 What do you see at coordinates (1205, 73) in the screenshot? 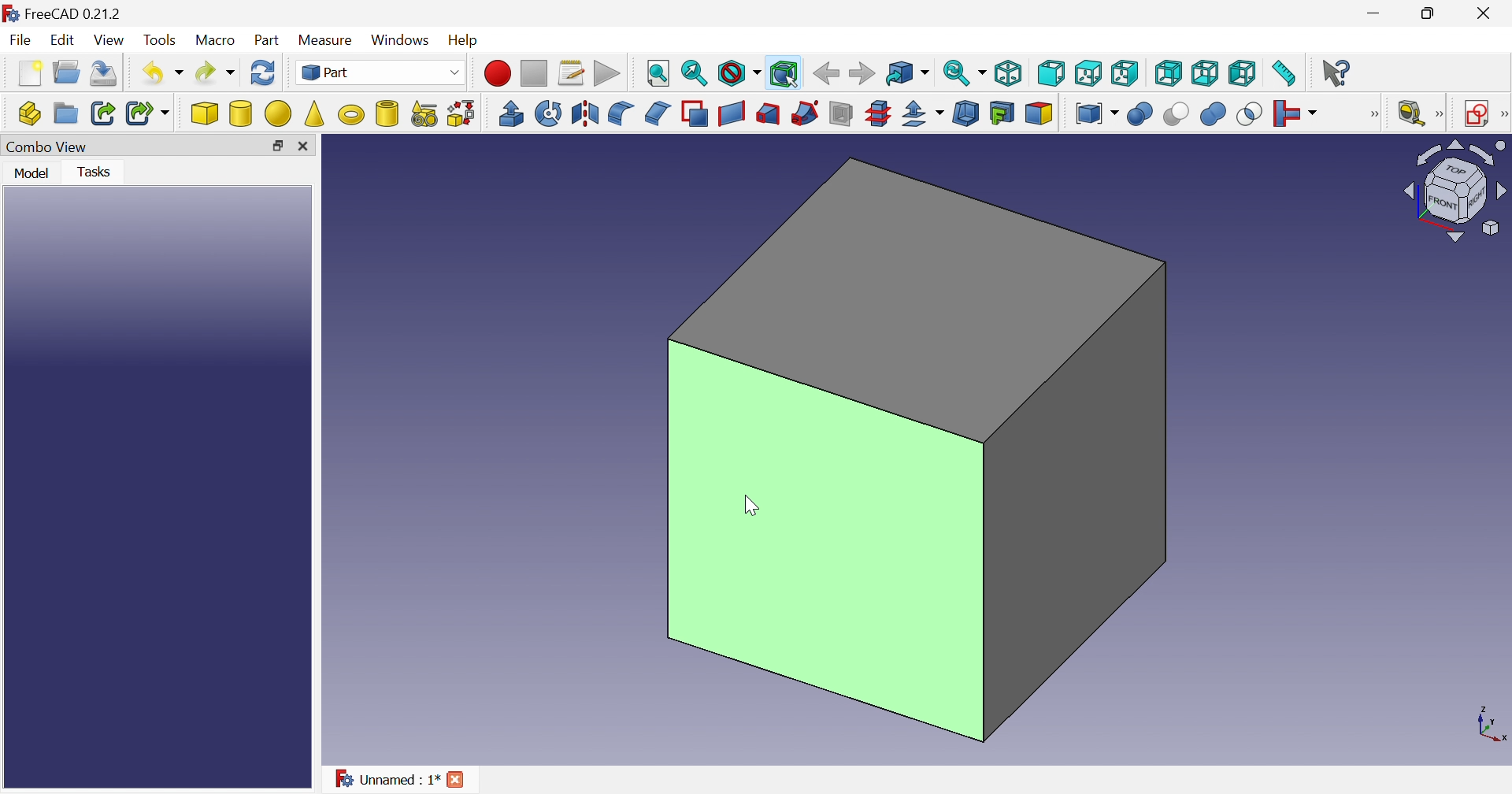
I see `Bottom` at bounding box center [1205, 73].